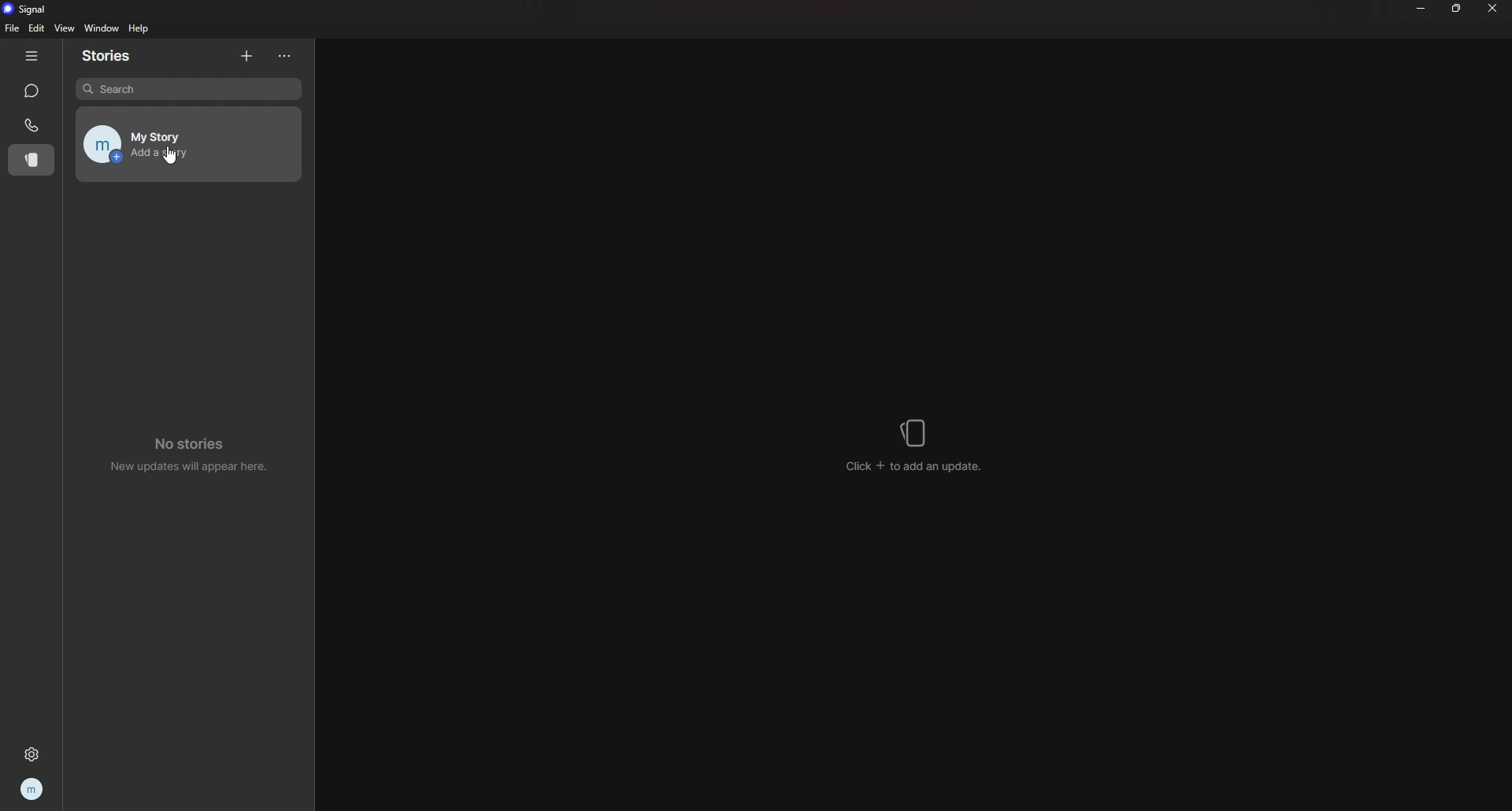 This screenshot has height=811, width=1512. I want to click on click + to add an update, so click(917, 446).